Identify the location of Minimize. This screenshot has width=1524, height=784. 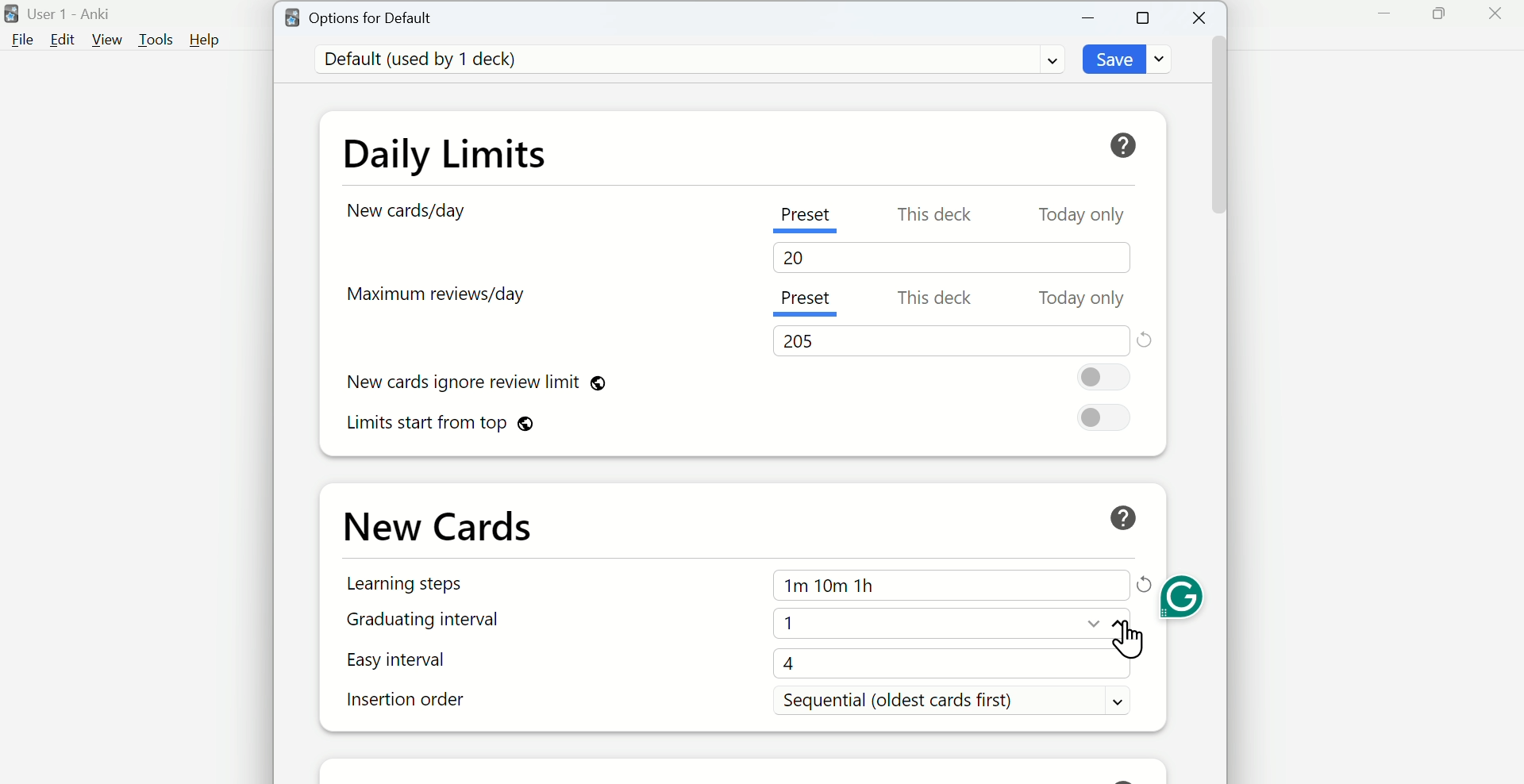
(1091, 17).